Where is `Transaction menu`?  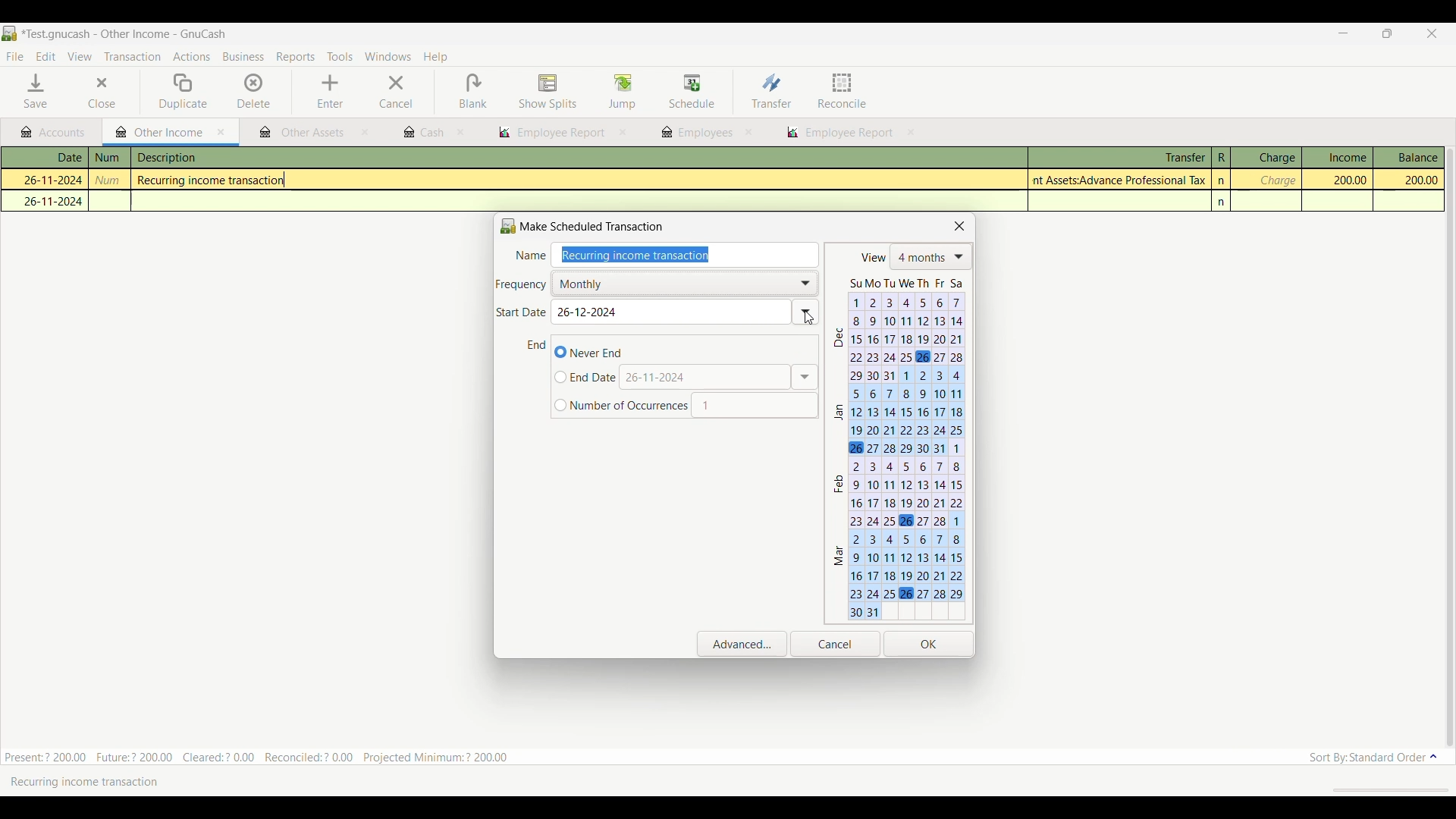
Transaction menu is located at coordinates (132, 57).